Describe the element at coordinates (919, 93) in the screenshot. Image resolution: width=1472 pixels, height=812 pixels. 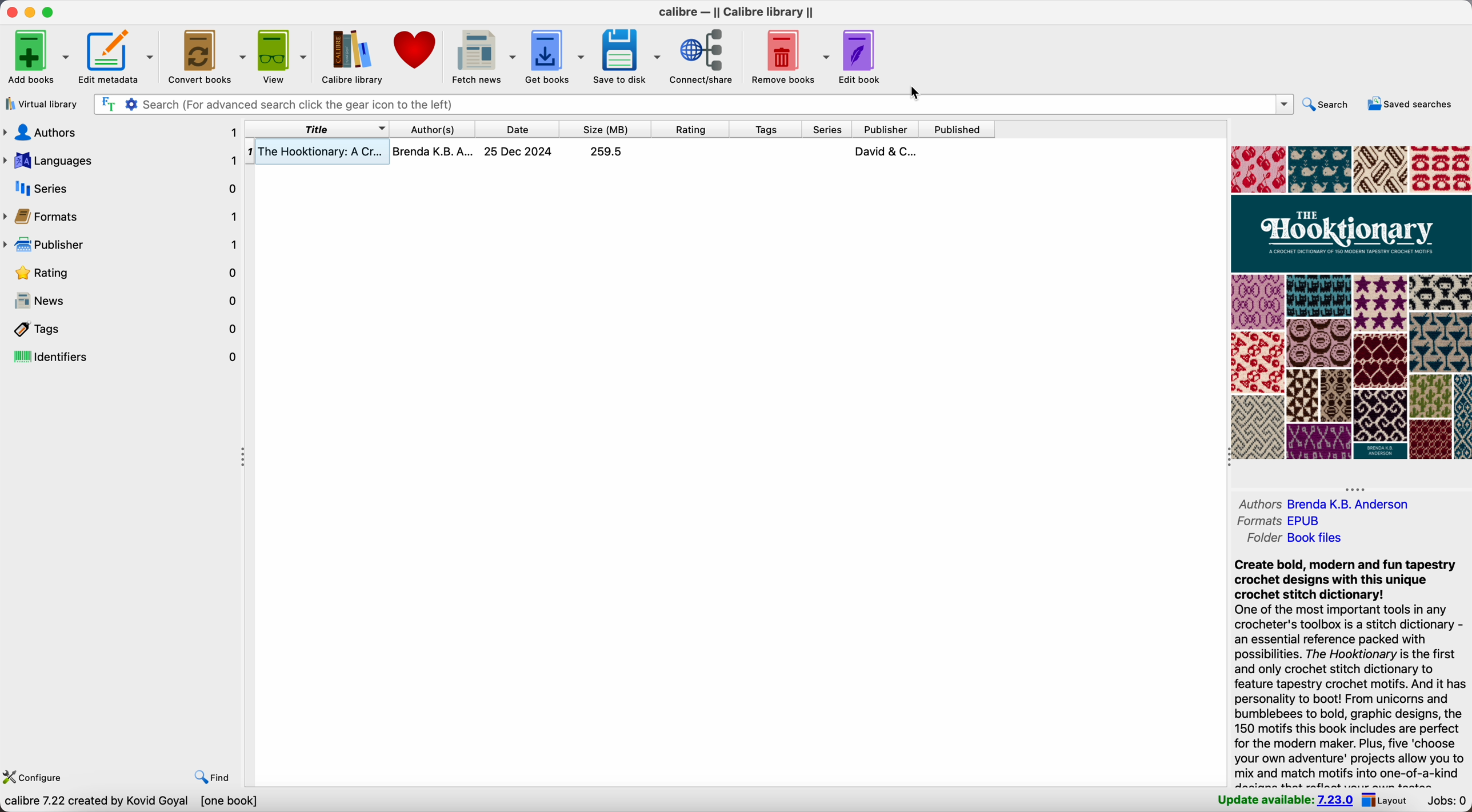
I see `cursor` at that location.